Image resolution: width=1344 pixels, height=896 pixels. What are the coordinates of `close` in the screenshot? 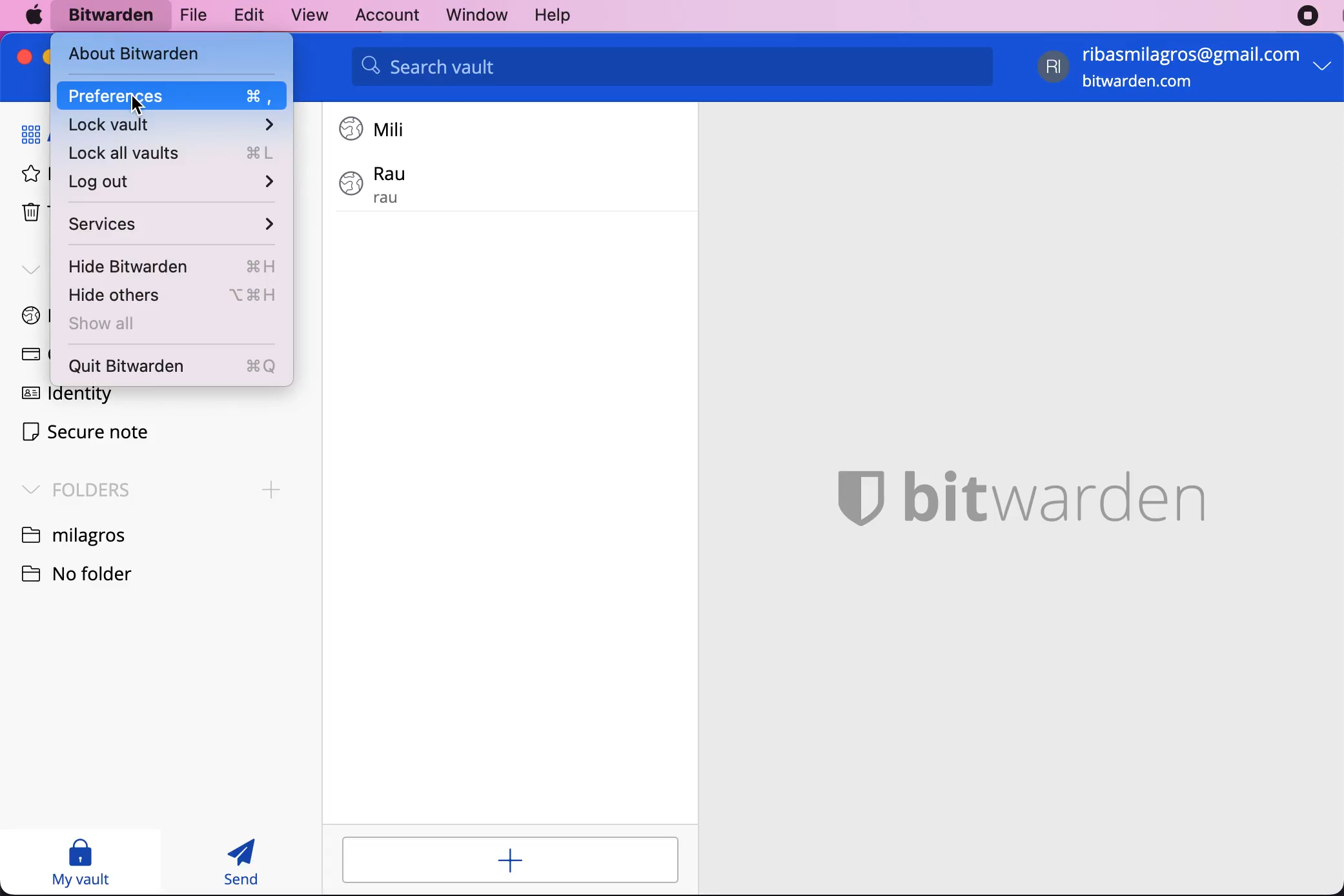 It's located at (25, 57).